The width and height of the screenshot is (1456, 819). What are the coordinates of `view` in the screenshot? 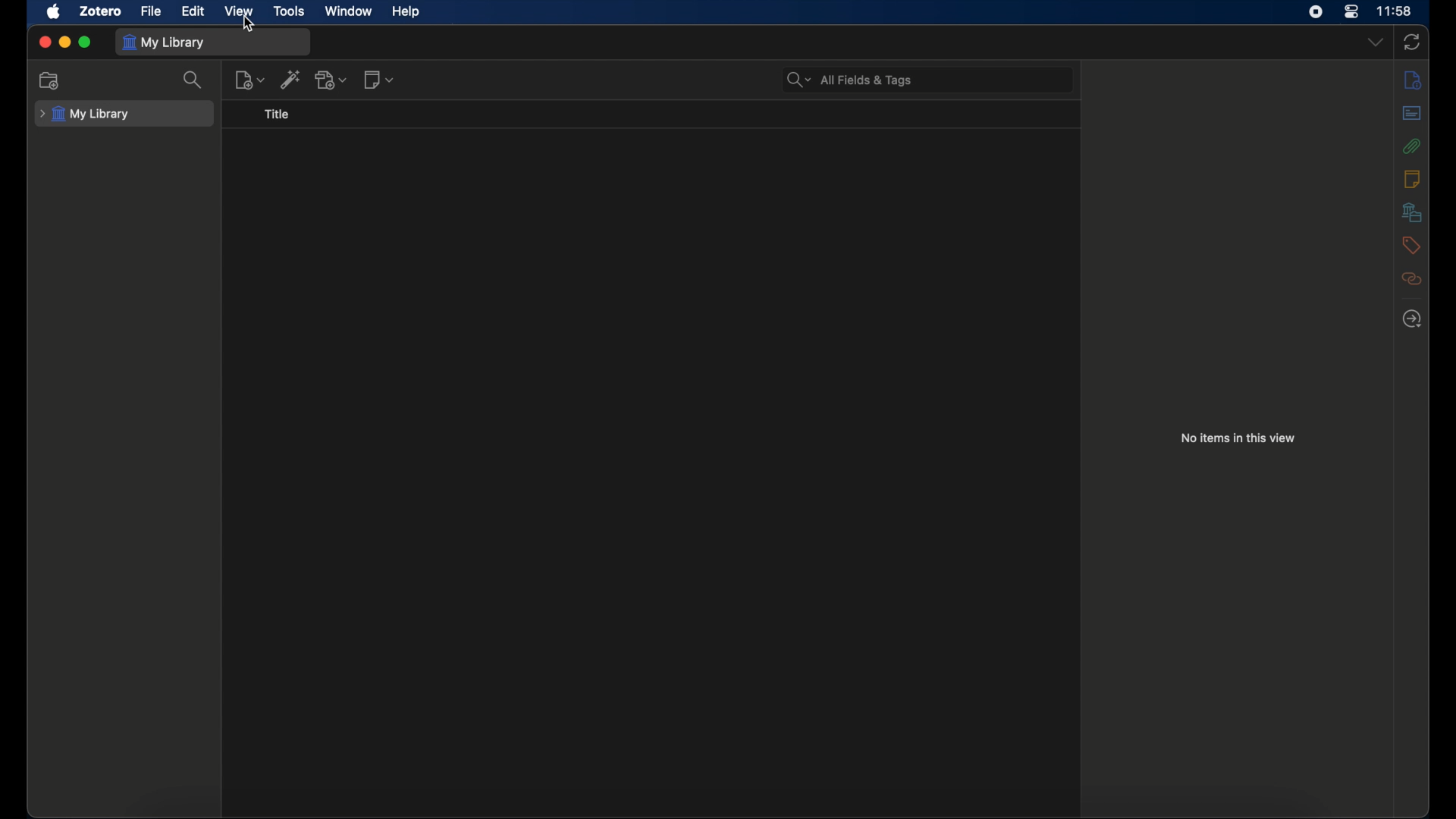 It's located at (240, 11).